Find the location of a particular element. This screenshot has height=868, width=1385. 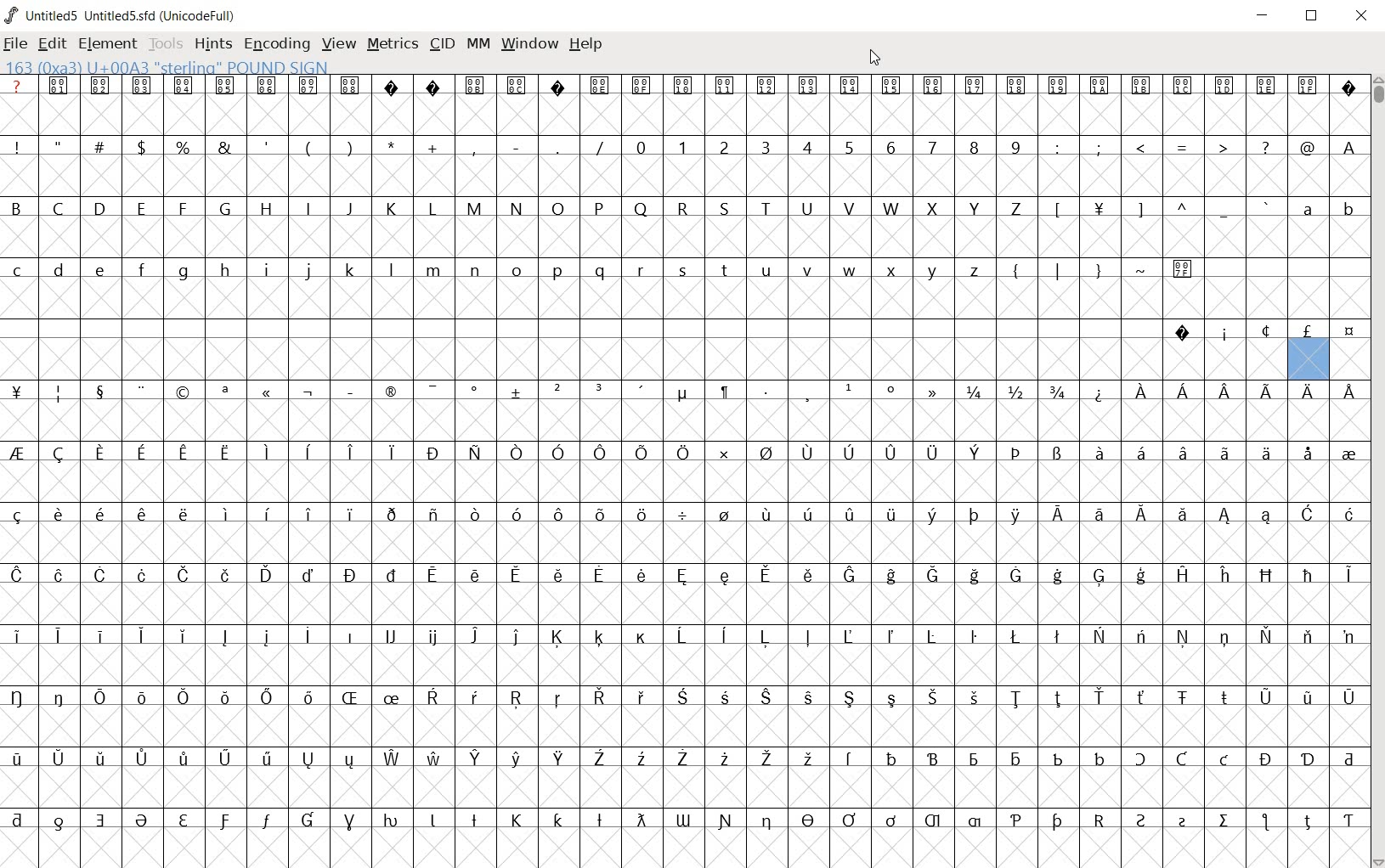

Symbol is located at coordinates (1307, 332).